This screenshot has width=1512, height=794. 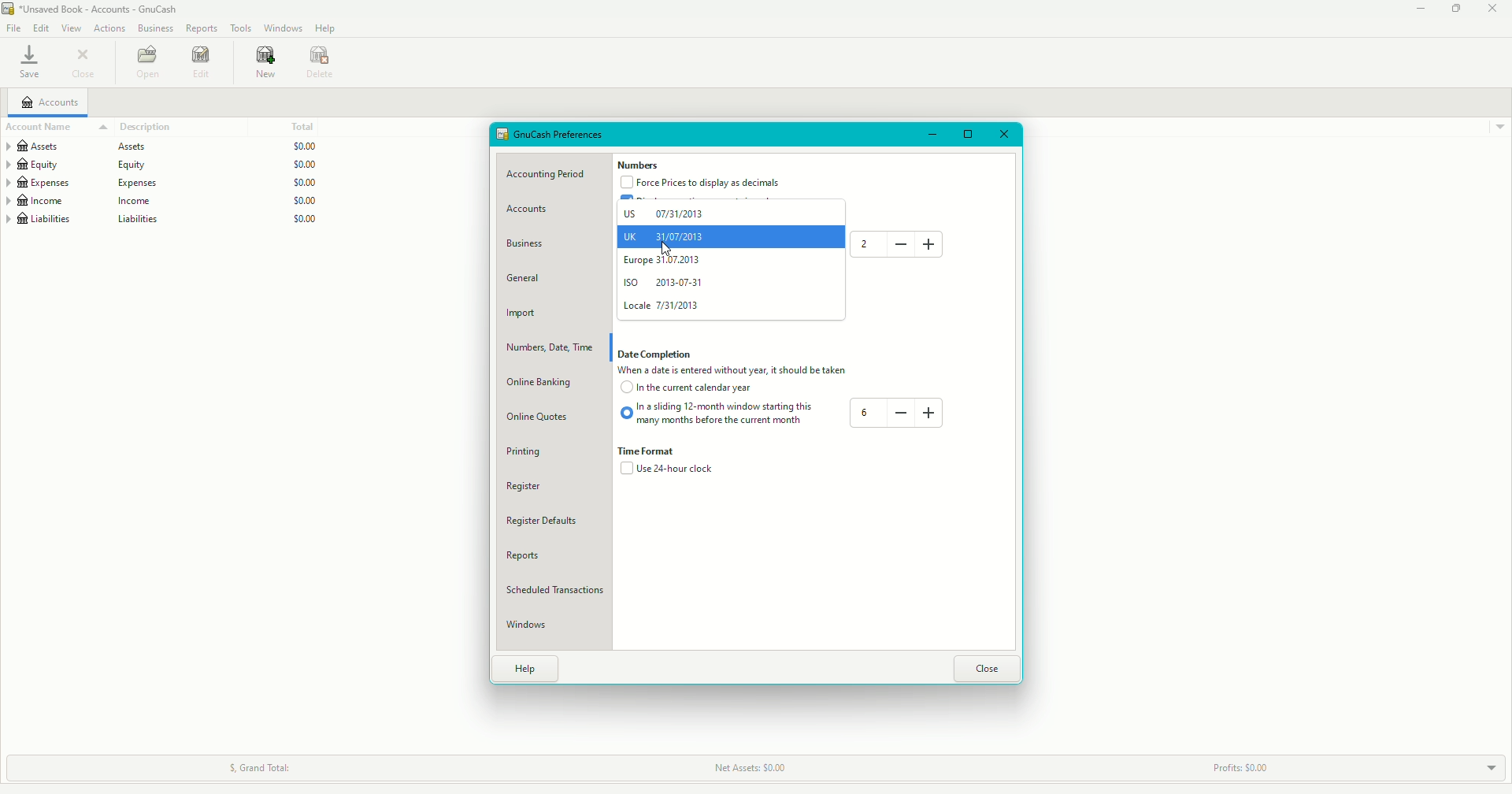 I want to click on Reports, so click(x=528, y=557).